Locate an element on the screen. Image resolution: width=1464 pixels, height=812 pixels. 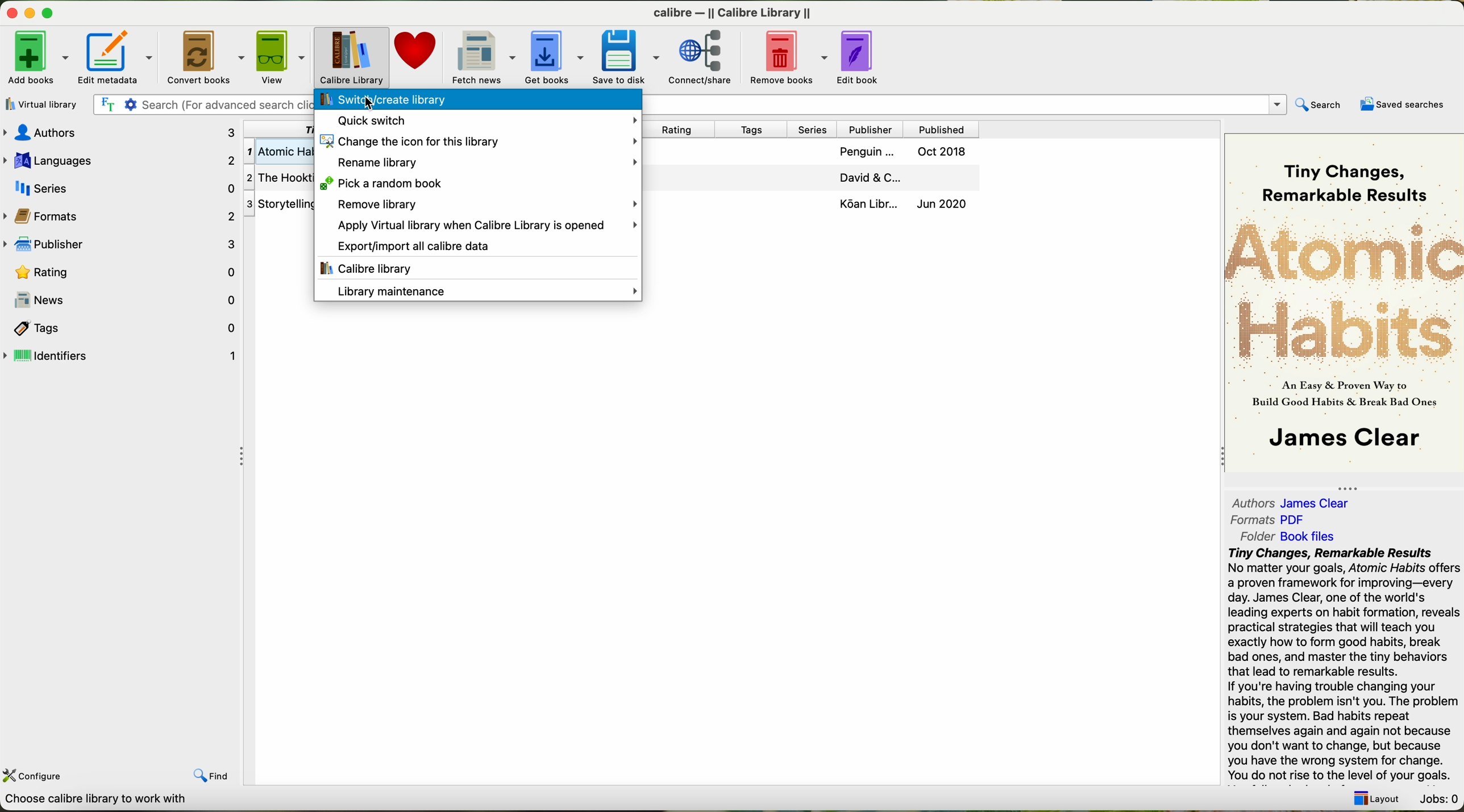
edit book is located at coordinates (863, 57).